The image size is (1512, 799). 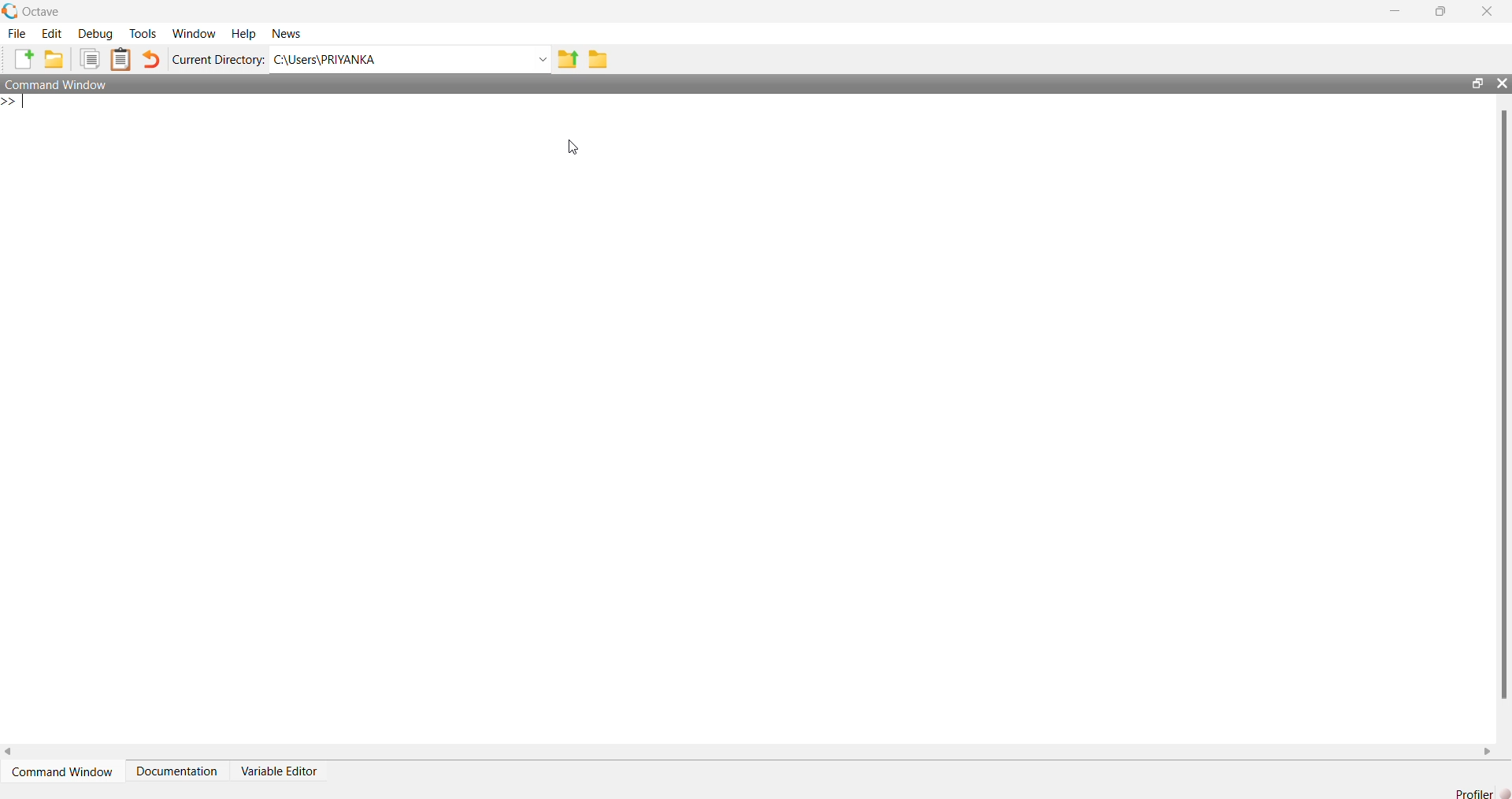 What do you see at coordinates (9, 102) in the screenshot?
I see `New line` at bounding box center [9, 102].